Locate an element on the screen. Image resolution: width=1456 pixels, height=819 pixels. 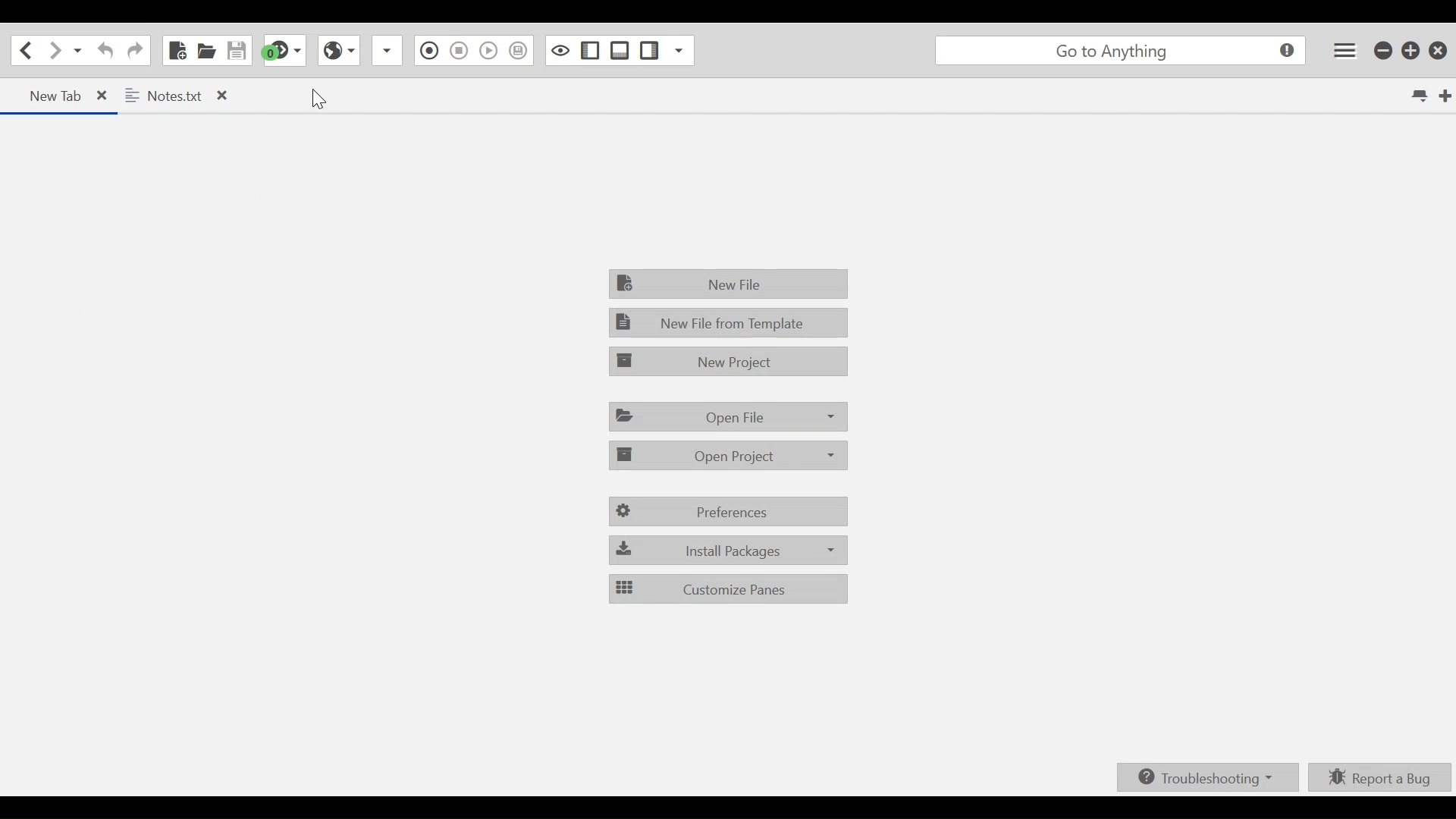
Recent Location is located at coordinates (76, 50).